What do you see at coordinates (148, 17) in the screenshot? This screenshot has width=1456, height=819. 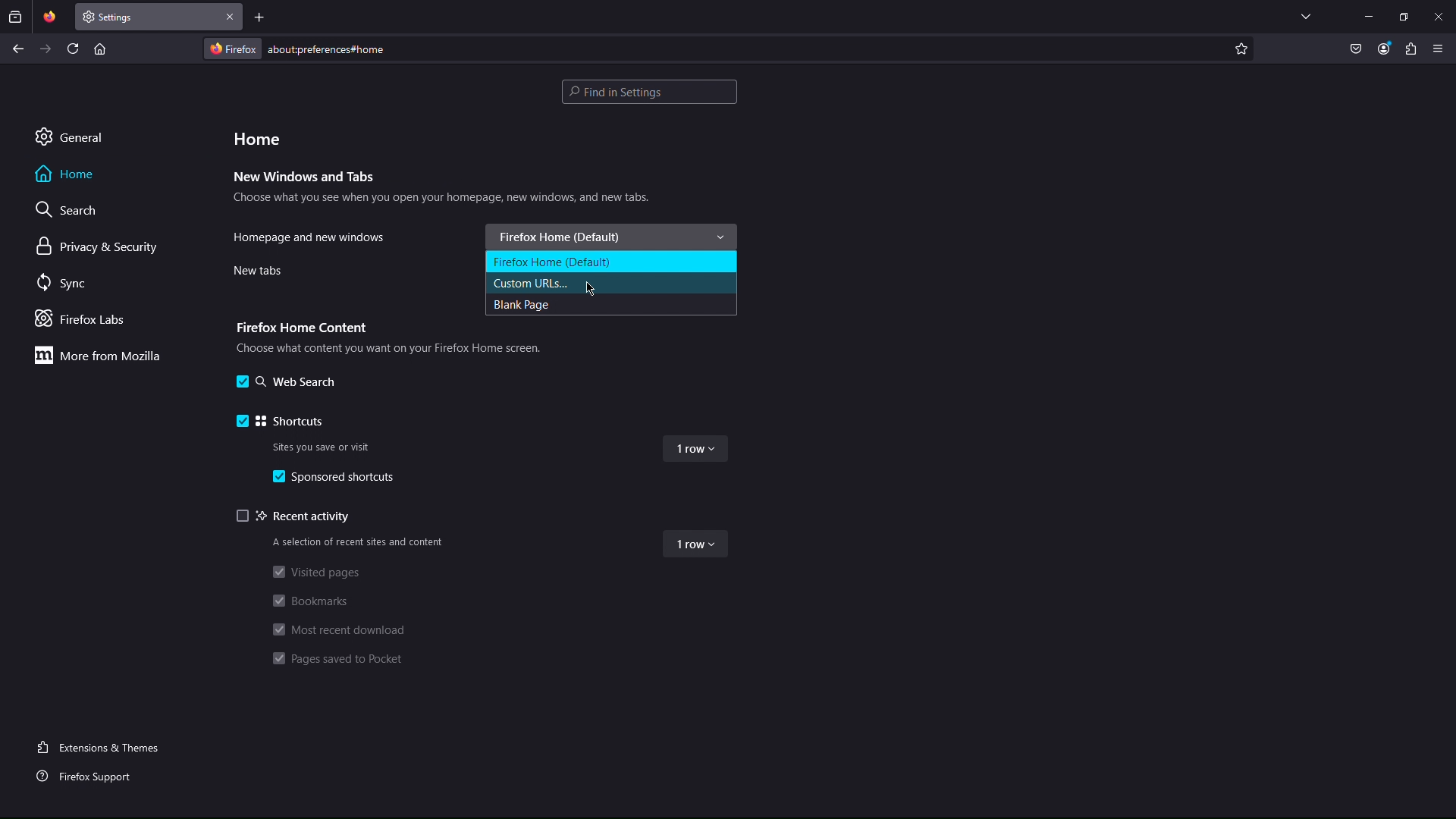 I see `New Tab` at bounding box center [148, 17].